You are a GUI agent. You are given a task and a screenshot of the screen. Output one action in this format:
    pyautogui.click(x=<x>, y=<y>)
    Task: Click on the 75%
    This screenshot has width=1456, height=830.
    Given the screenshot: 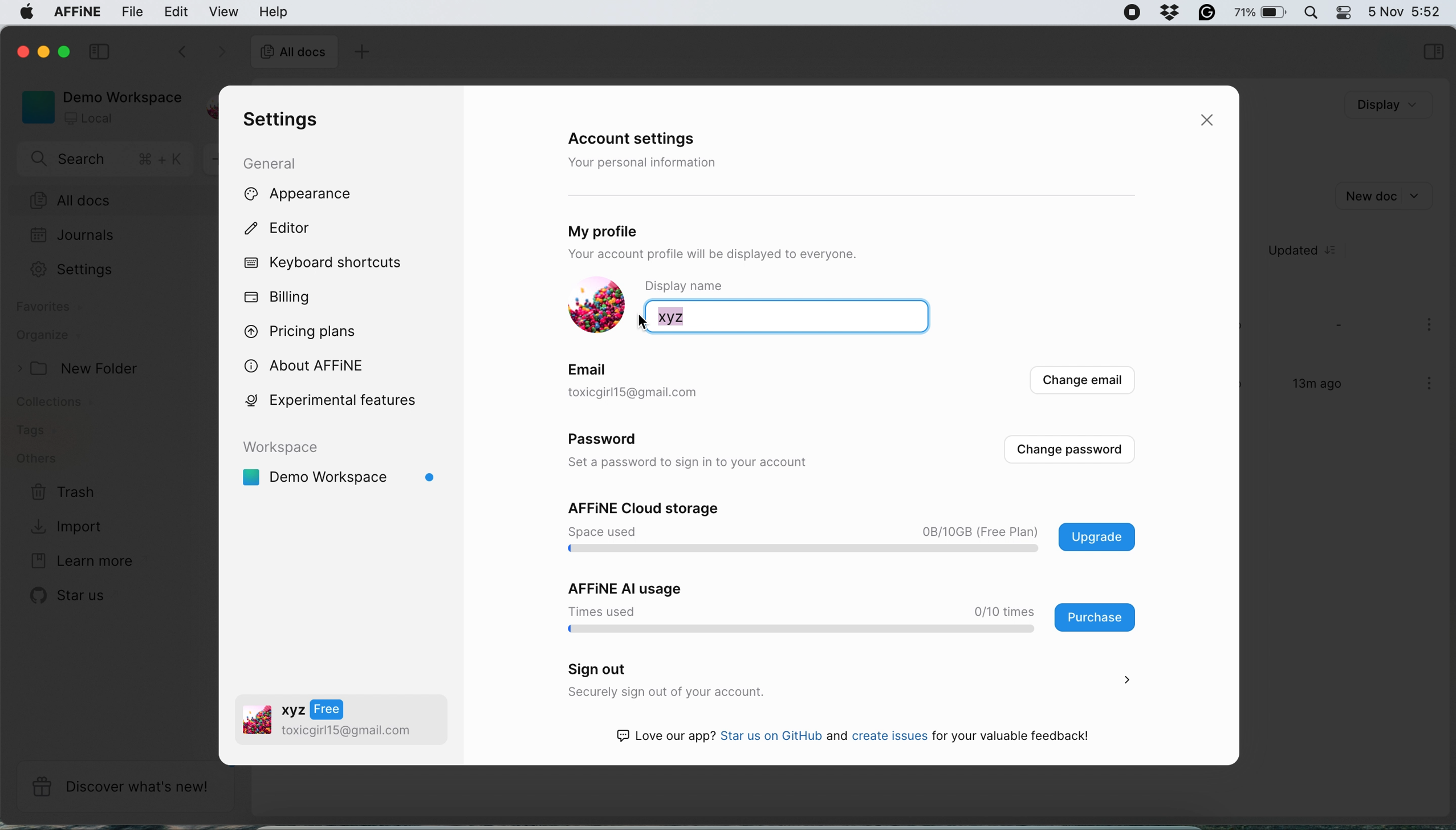 What is the action you would take?
    pyautogui.click(x=1260, y=14)
    